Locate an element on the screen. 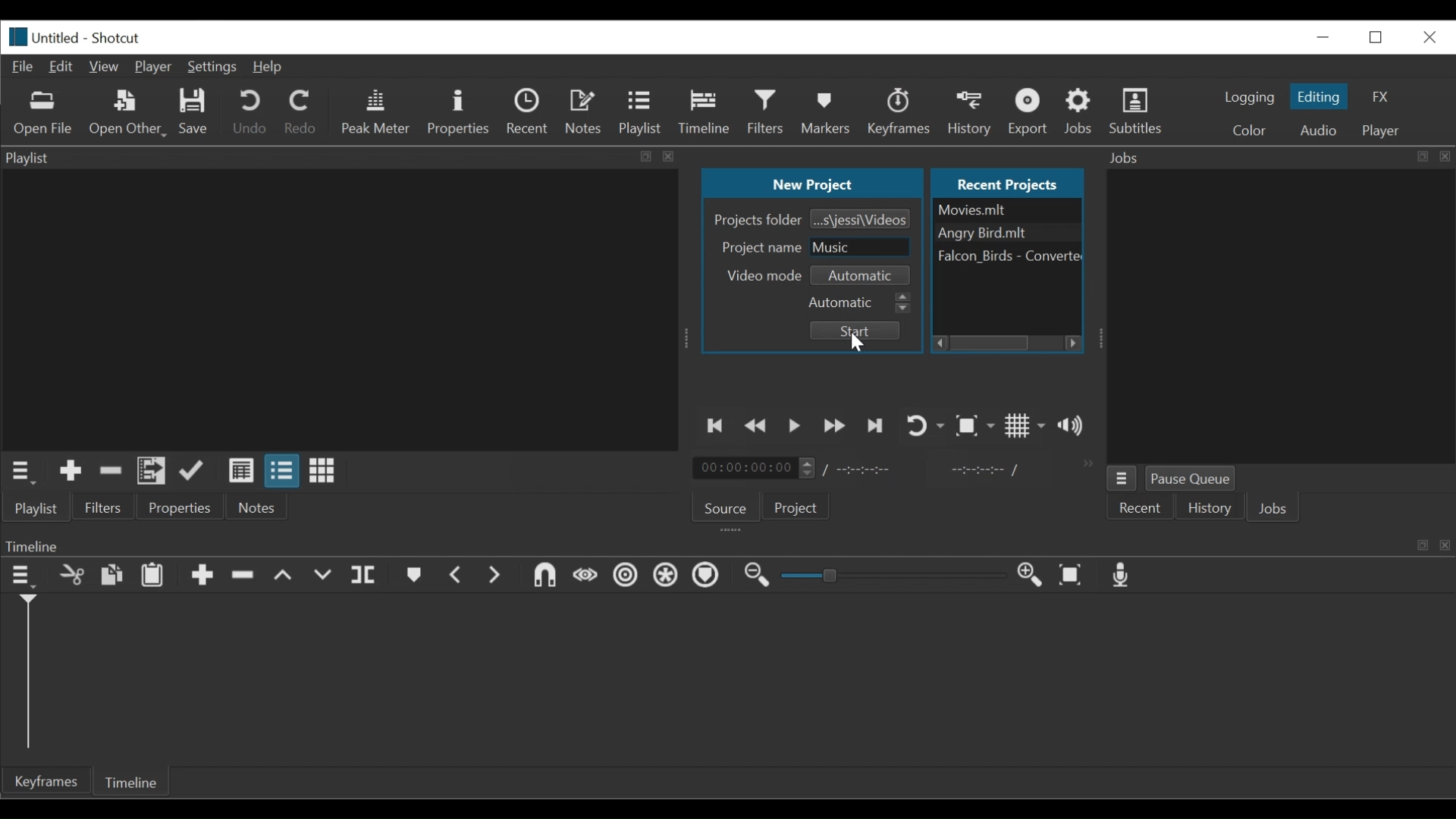  Help is located at coordinates (275, 67).